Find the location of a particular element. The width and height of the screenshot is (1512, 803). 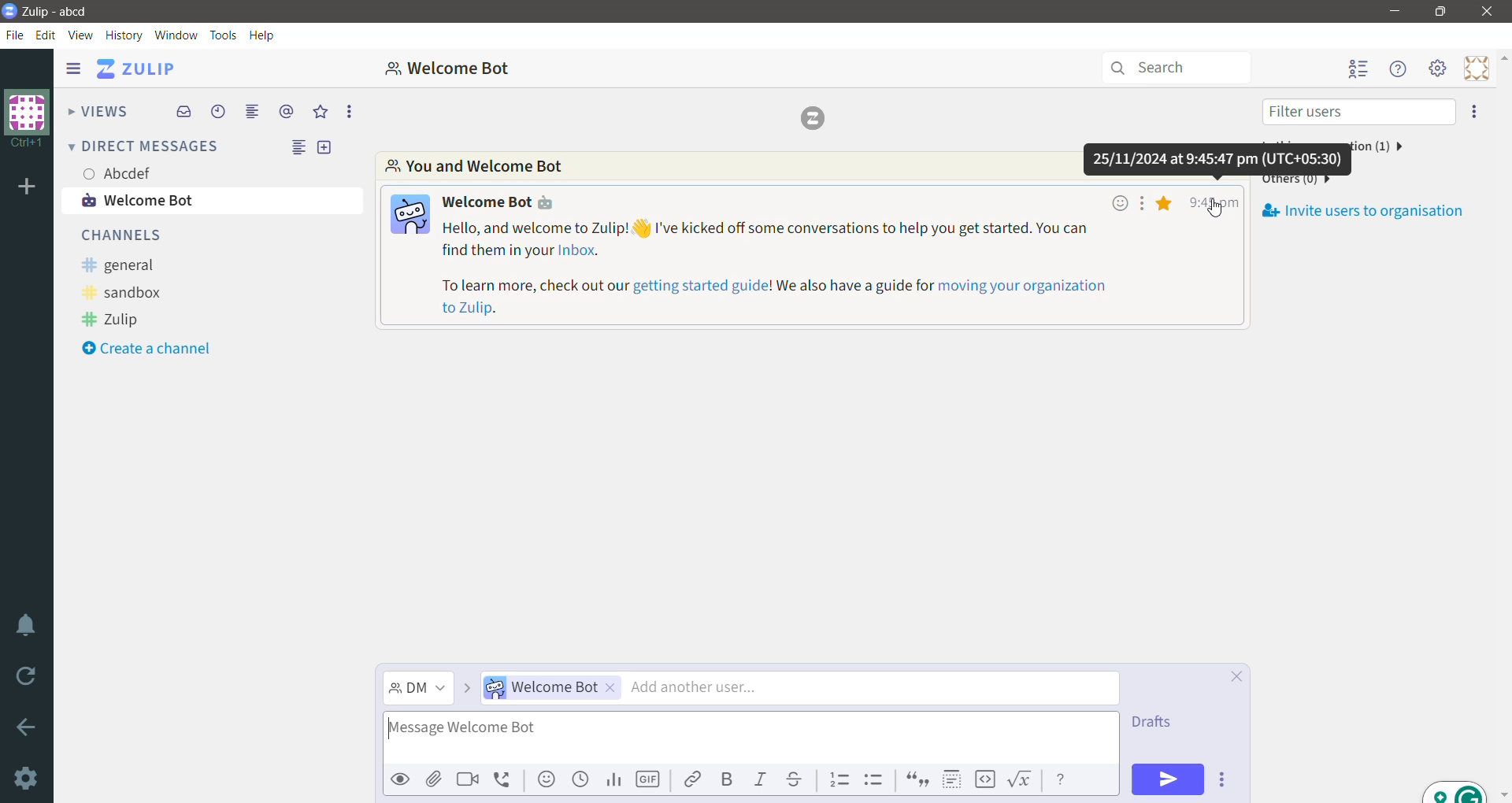

Cancel compose and save draft is located at coordinates (1235, 676).